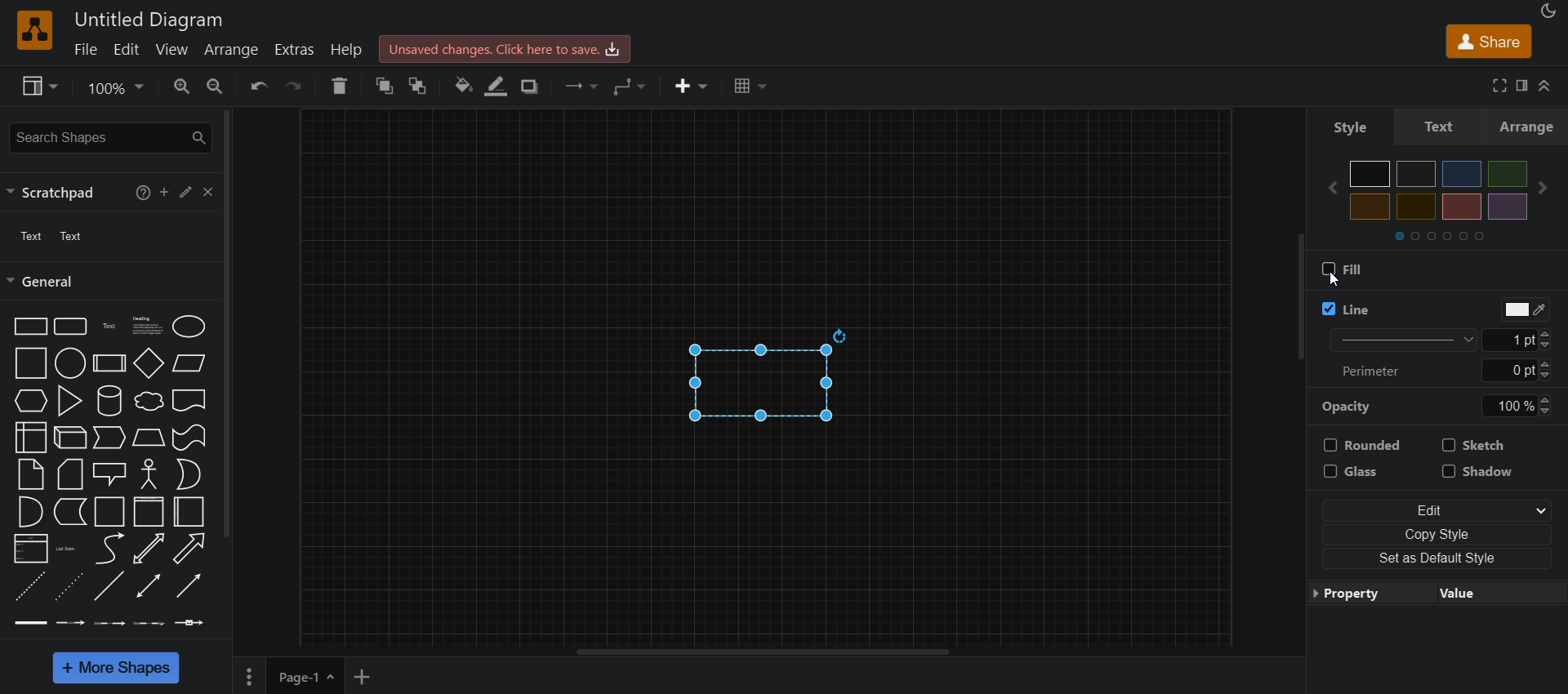 The width and height of the screenshot is (1568, 694). Describe the element at coordinates (109, 402) in the screenshot. I see `cylinder` at that location.